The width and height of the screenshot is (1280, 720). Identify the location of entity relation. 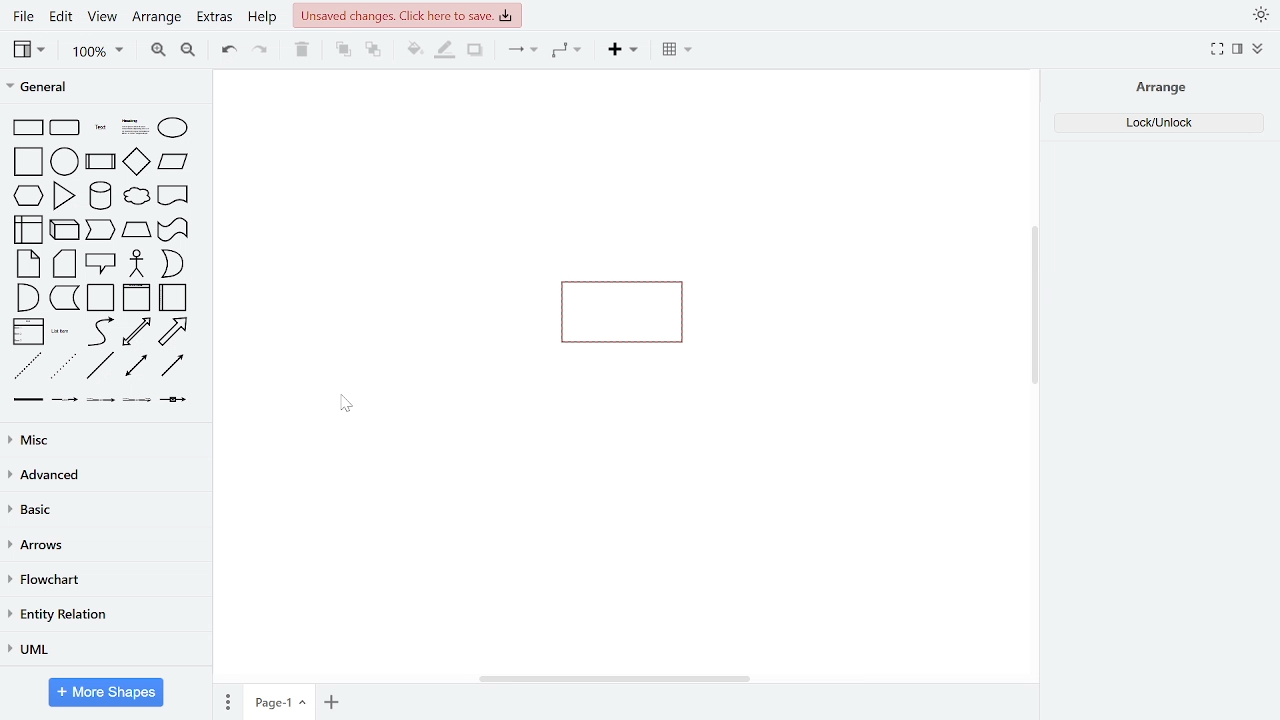
(106, 615).